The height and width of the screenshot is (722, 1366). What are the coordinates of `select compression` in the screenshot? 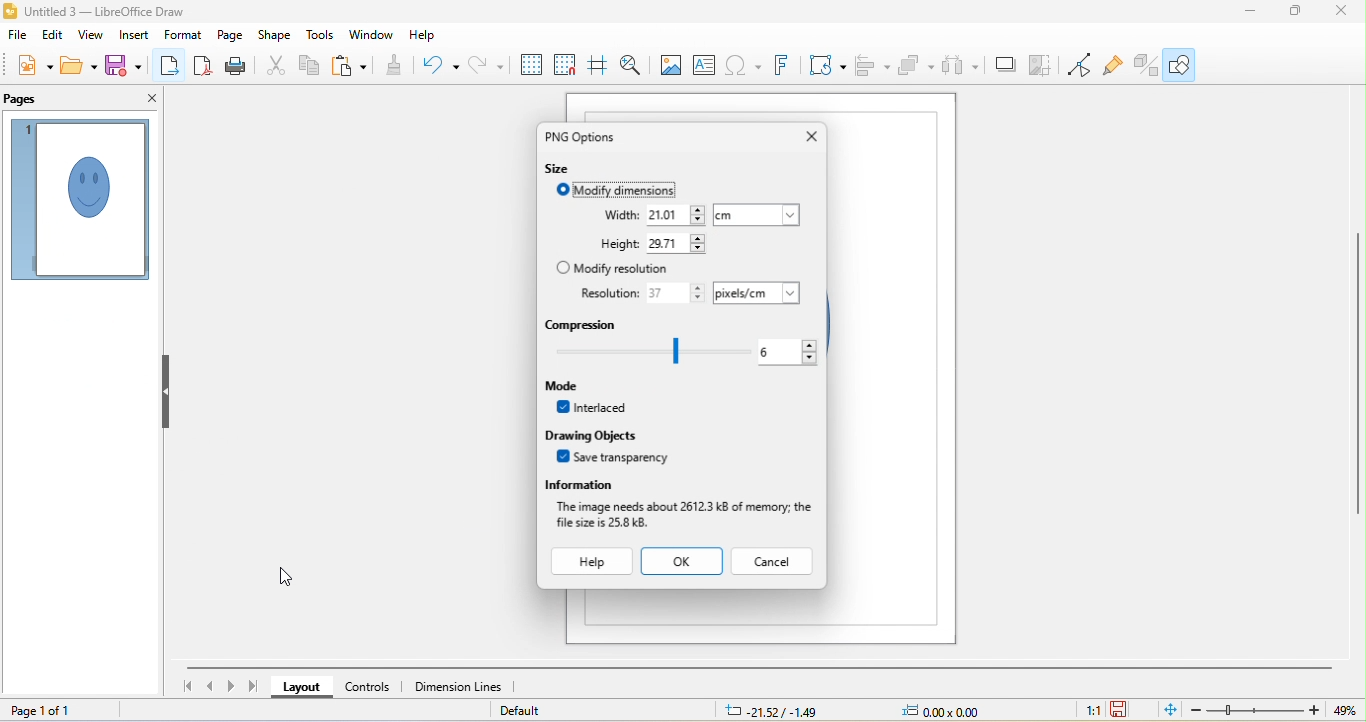 It's located at (688, 353).